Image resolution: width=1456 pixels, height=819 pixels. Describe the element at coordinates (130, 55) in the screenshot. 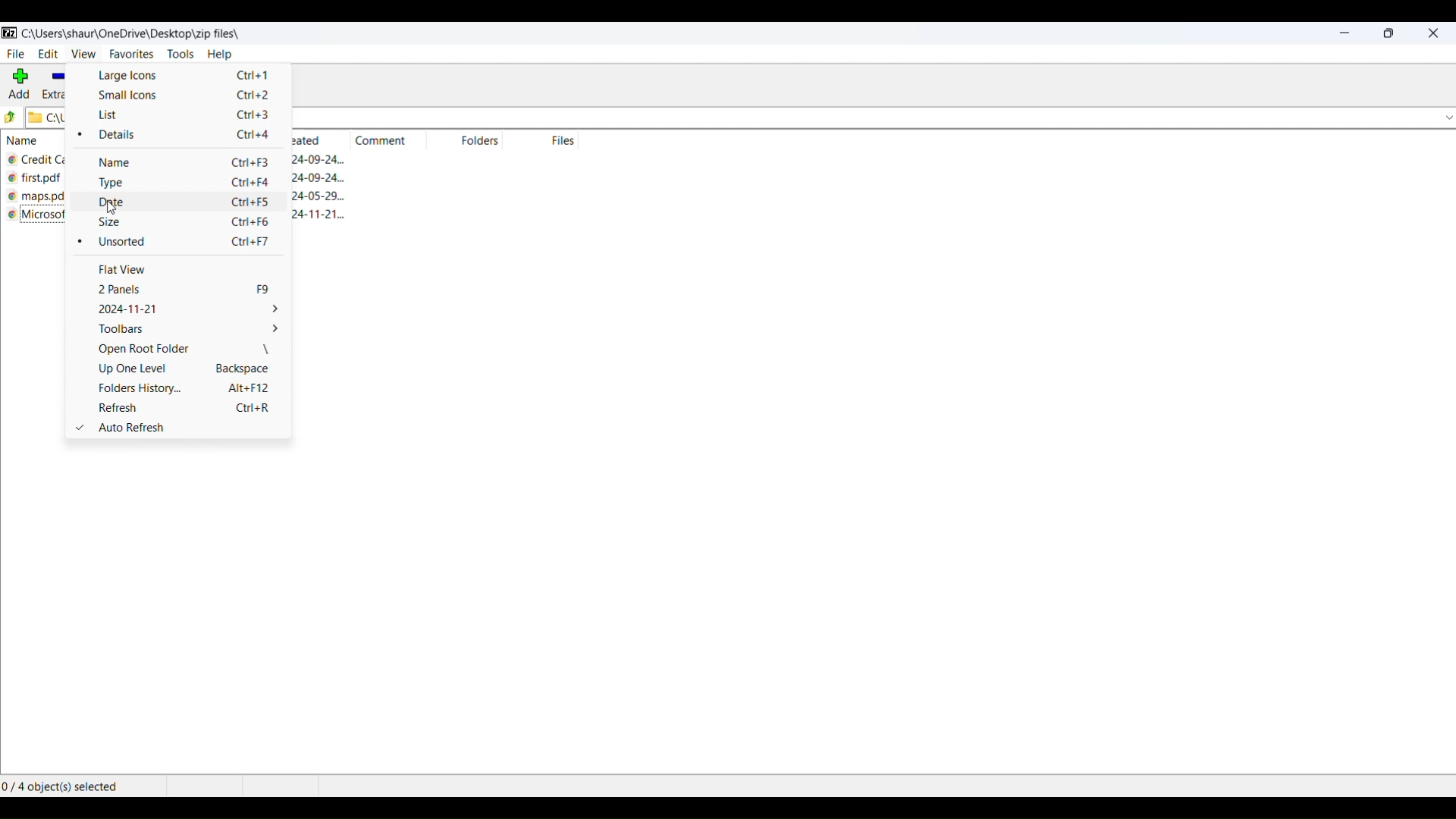

I see `favorites` at that location.